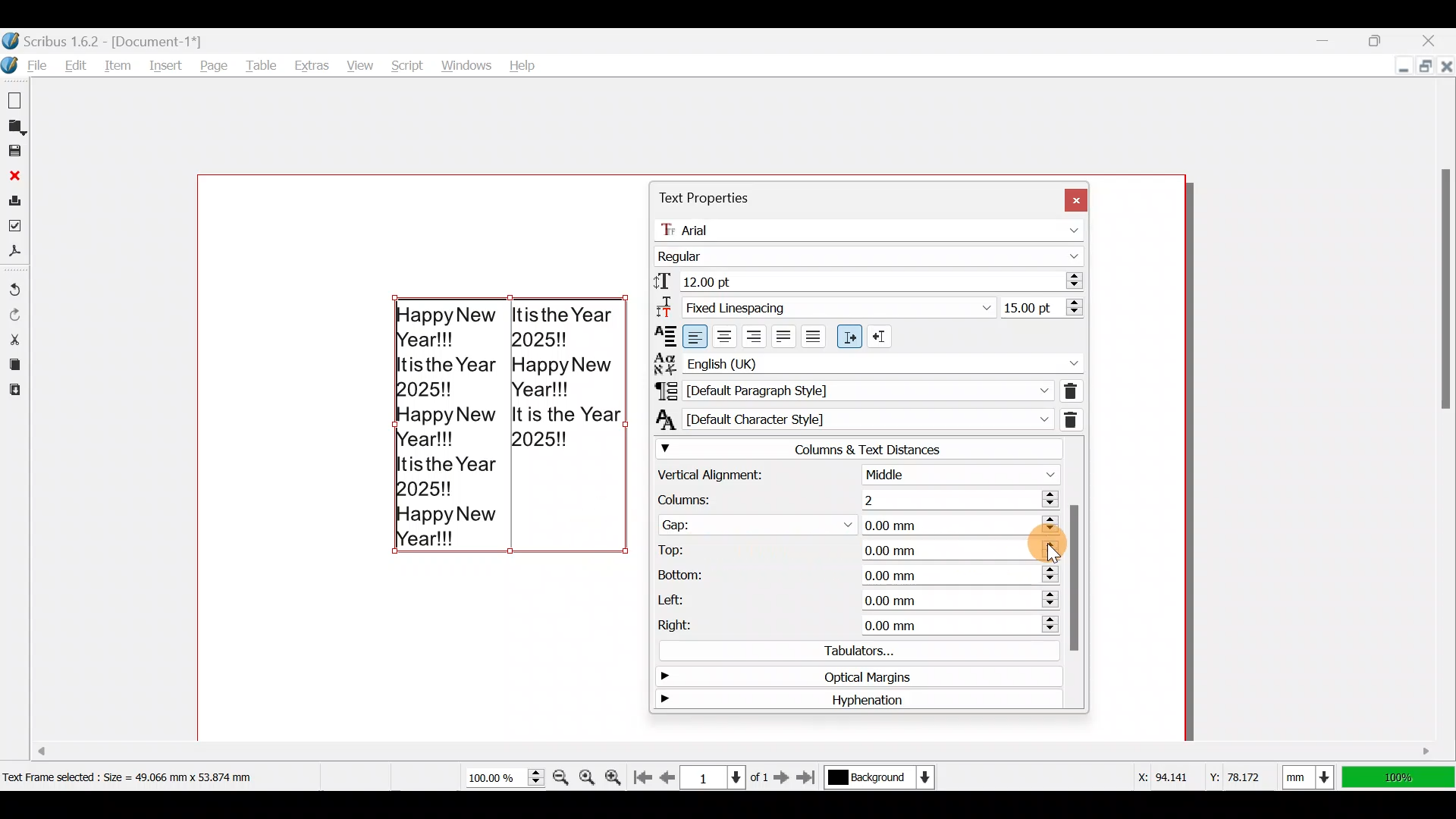  I want to click on Tabulators, so click(852, 651).